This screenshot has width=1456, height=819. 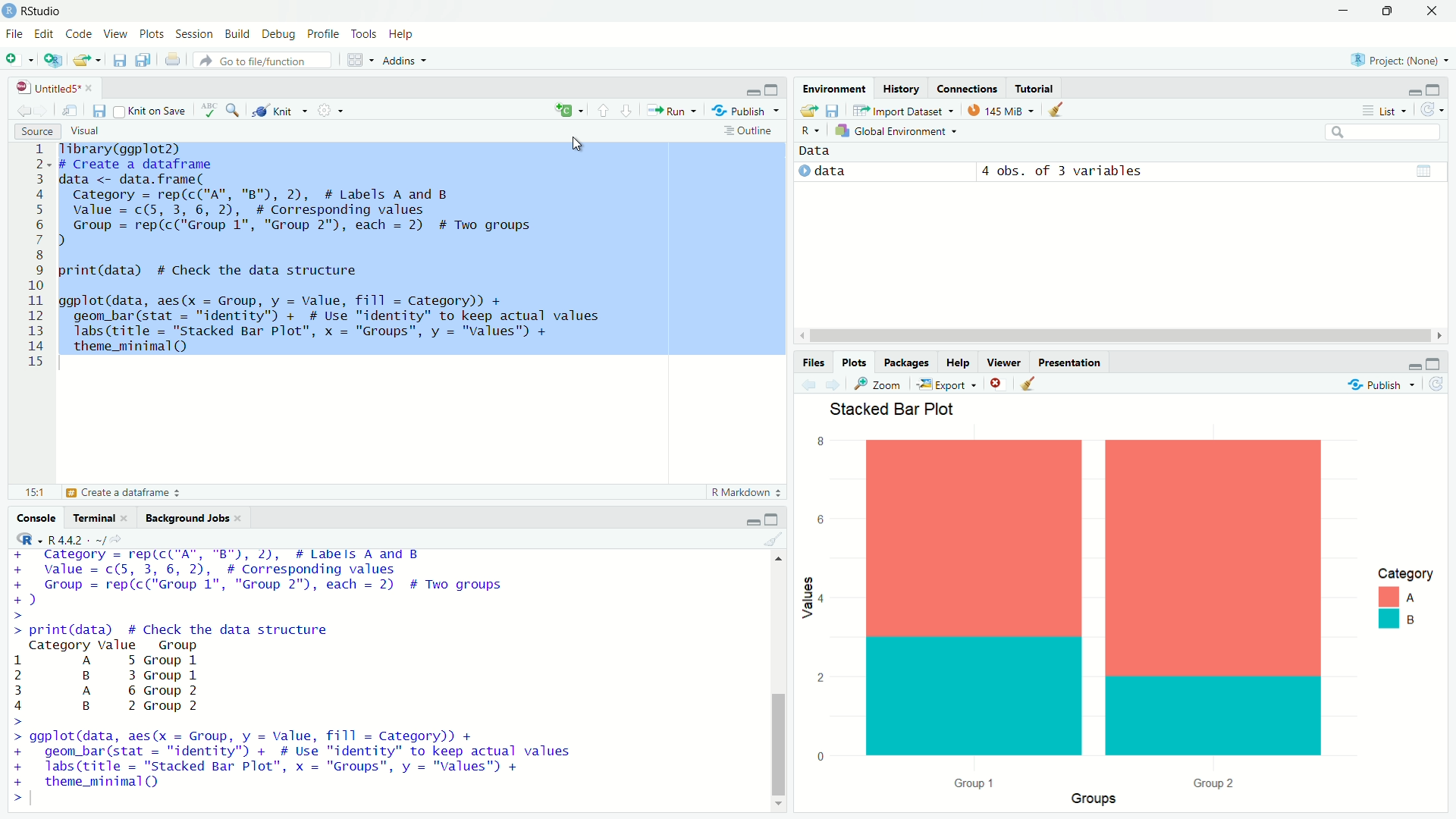 I want to click on Maximize, so click(x=773, y=89).